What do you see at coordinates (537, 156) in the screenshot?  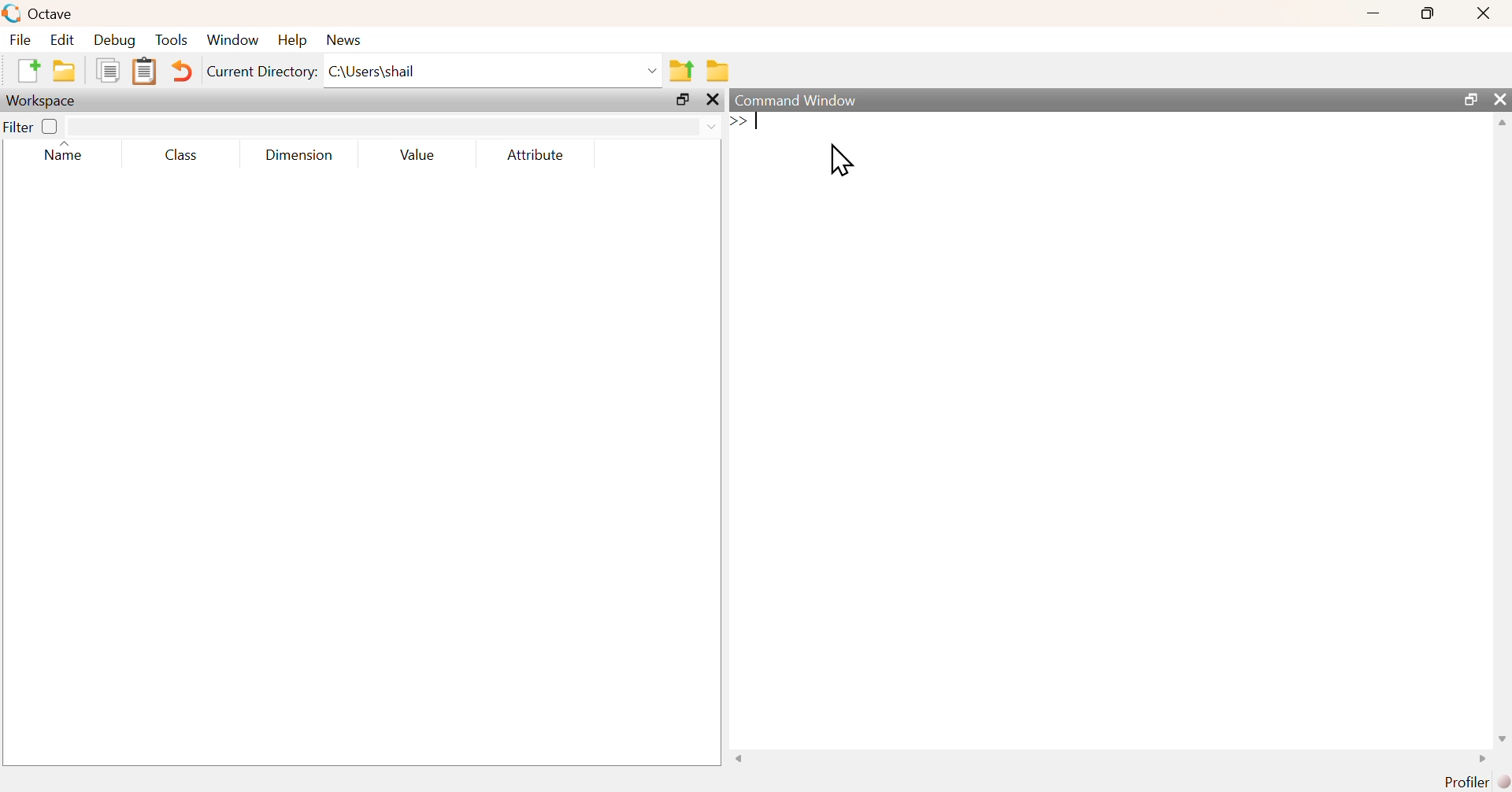 I see `Attribute` at bounding box center [537, 156].